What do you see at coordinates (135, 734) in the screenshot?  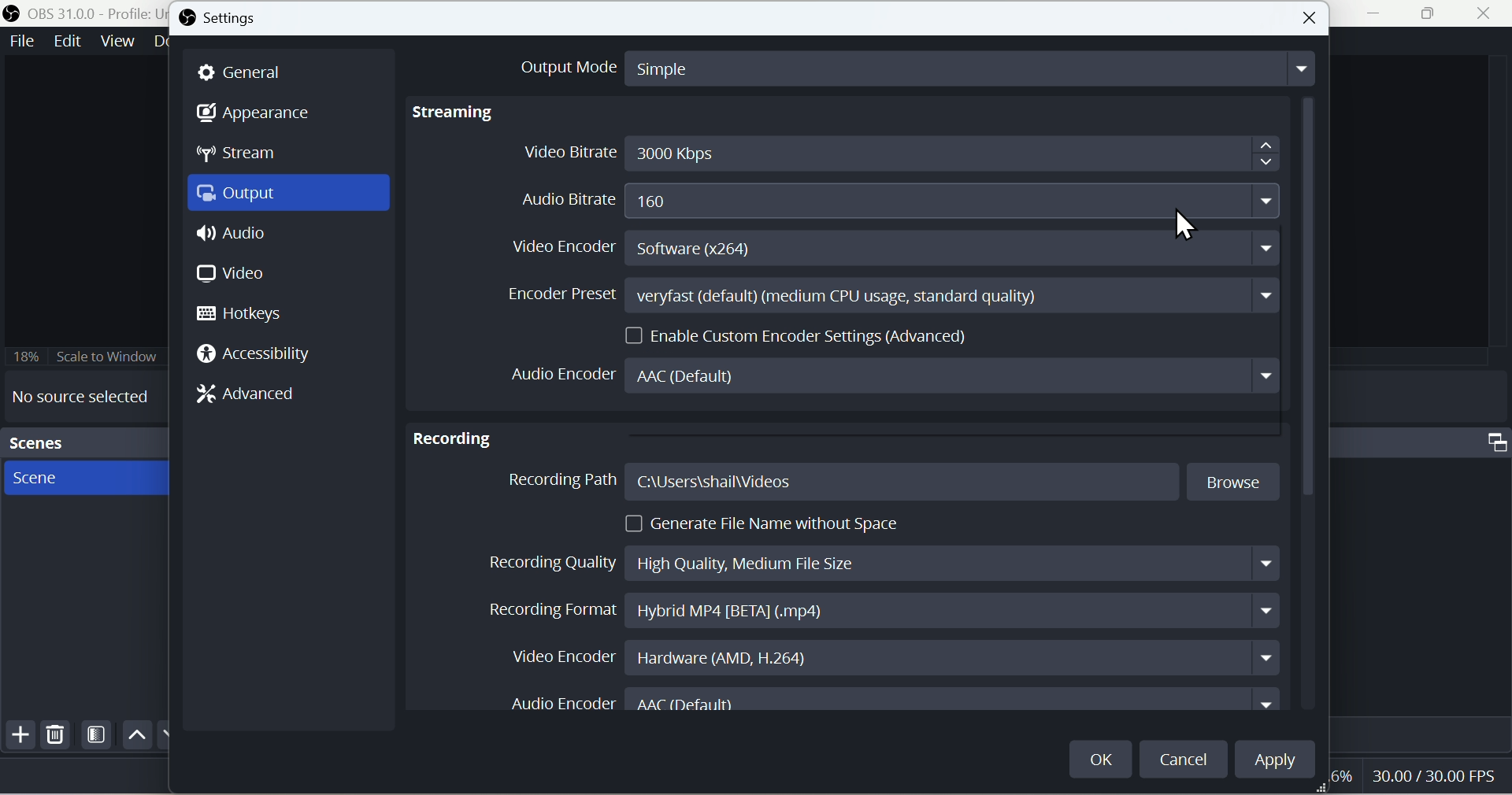 I see `up` at bounding box center [135, 734].